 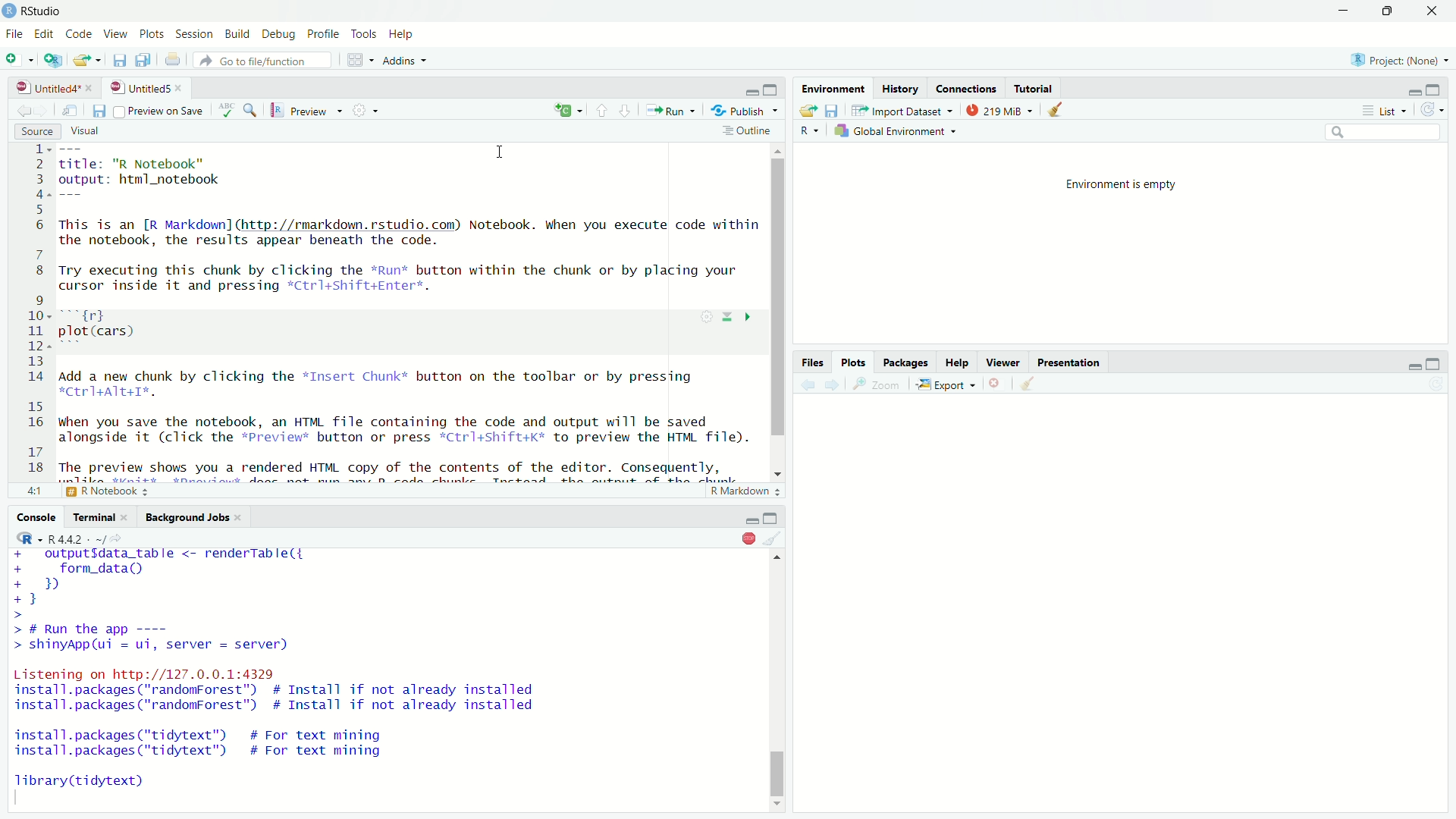 What do you see at coordinates (236, 34) in the screenshot?
I see `Build` at bounding box center [236, 34].